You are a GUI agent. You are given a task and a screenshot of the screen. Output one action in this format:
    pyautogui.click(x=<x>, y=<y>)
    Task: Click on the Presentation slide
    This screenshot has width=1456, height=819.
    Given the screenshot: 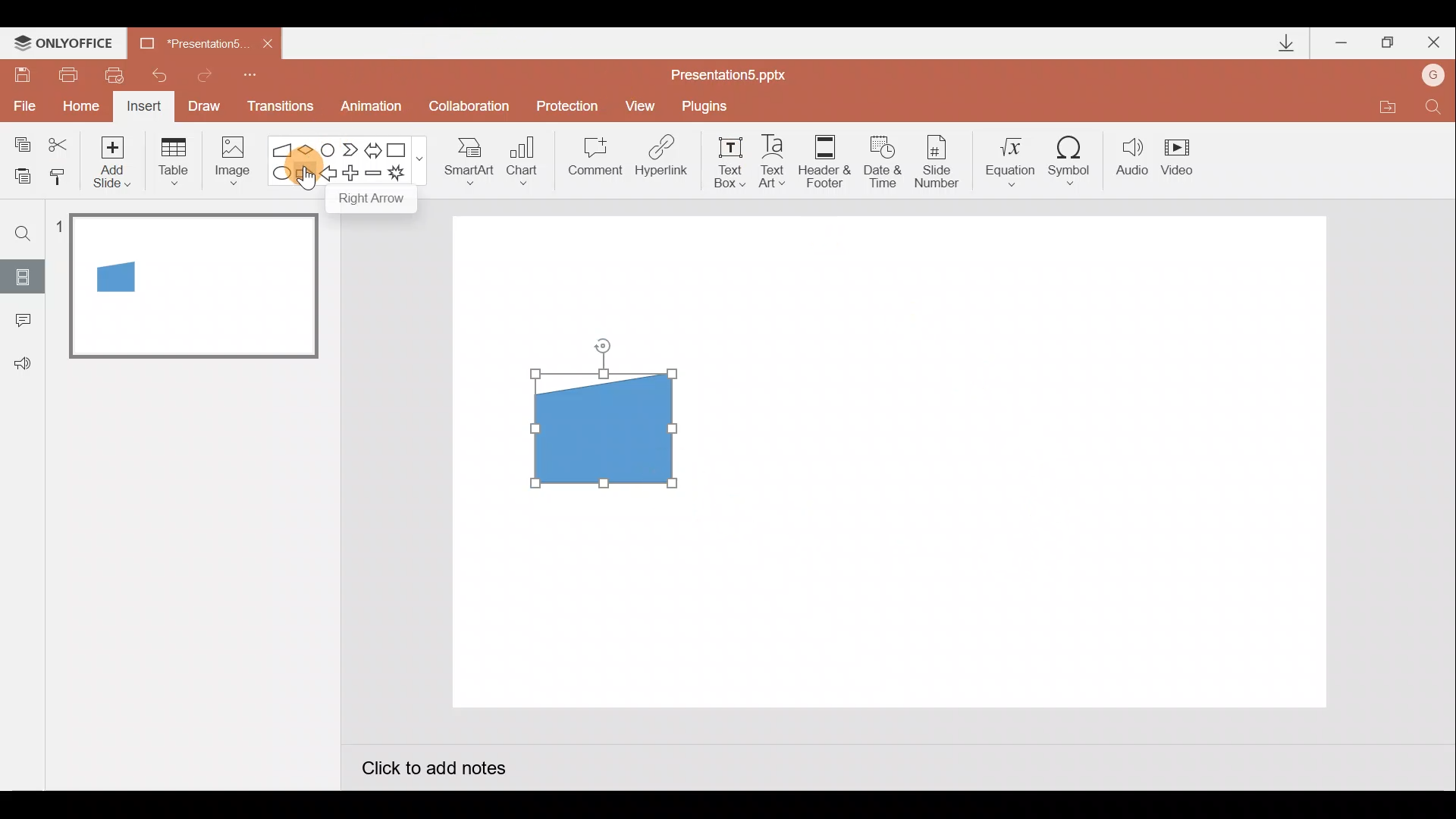 What is the action you would take?
    pyautogui.click(x=1037, y=461)
    